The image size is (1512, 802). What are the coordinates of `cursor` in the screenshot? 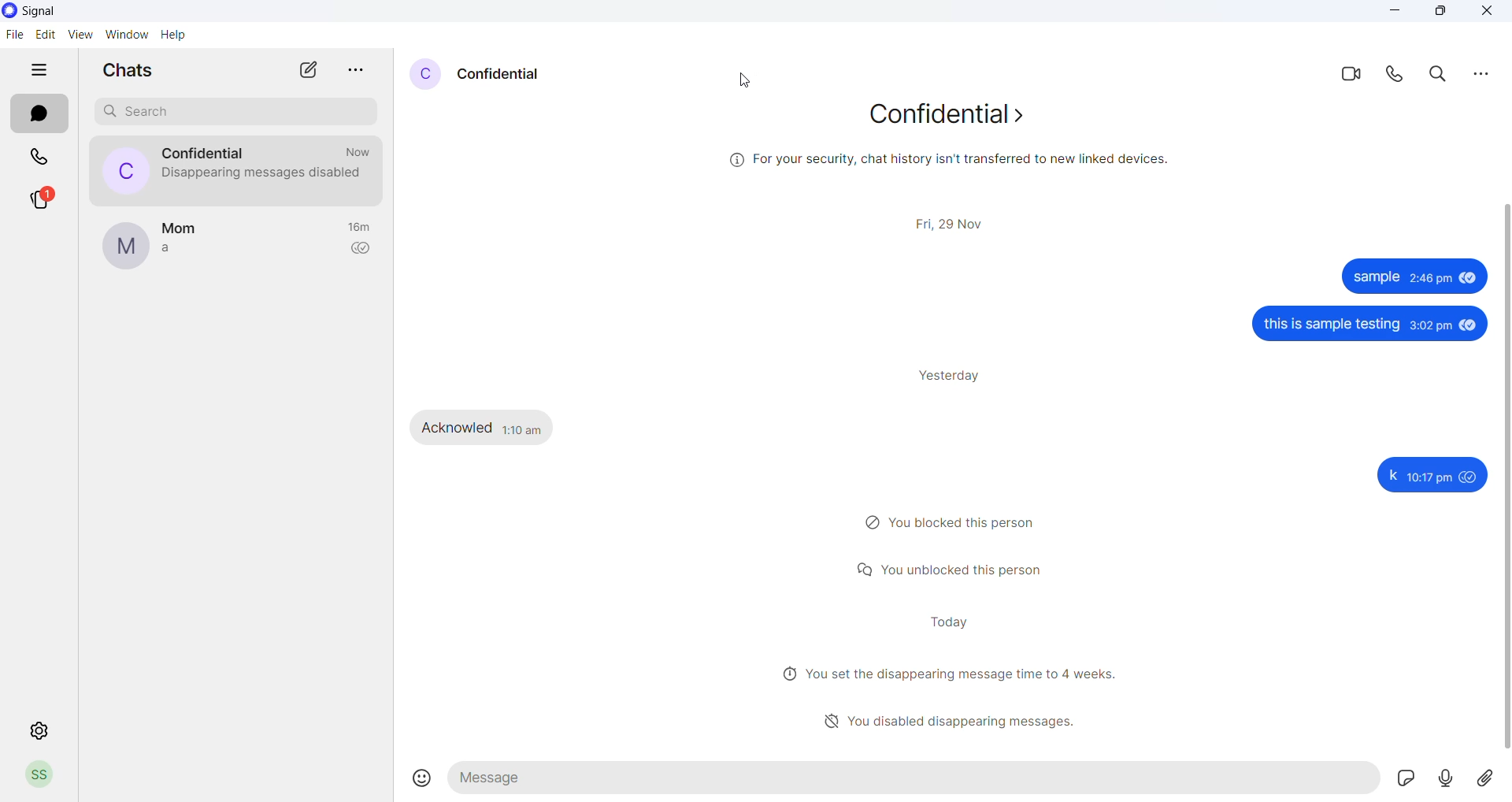 It's located at (748, 80).